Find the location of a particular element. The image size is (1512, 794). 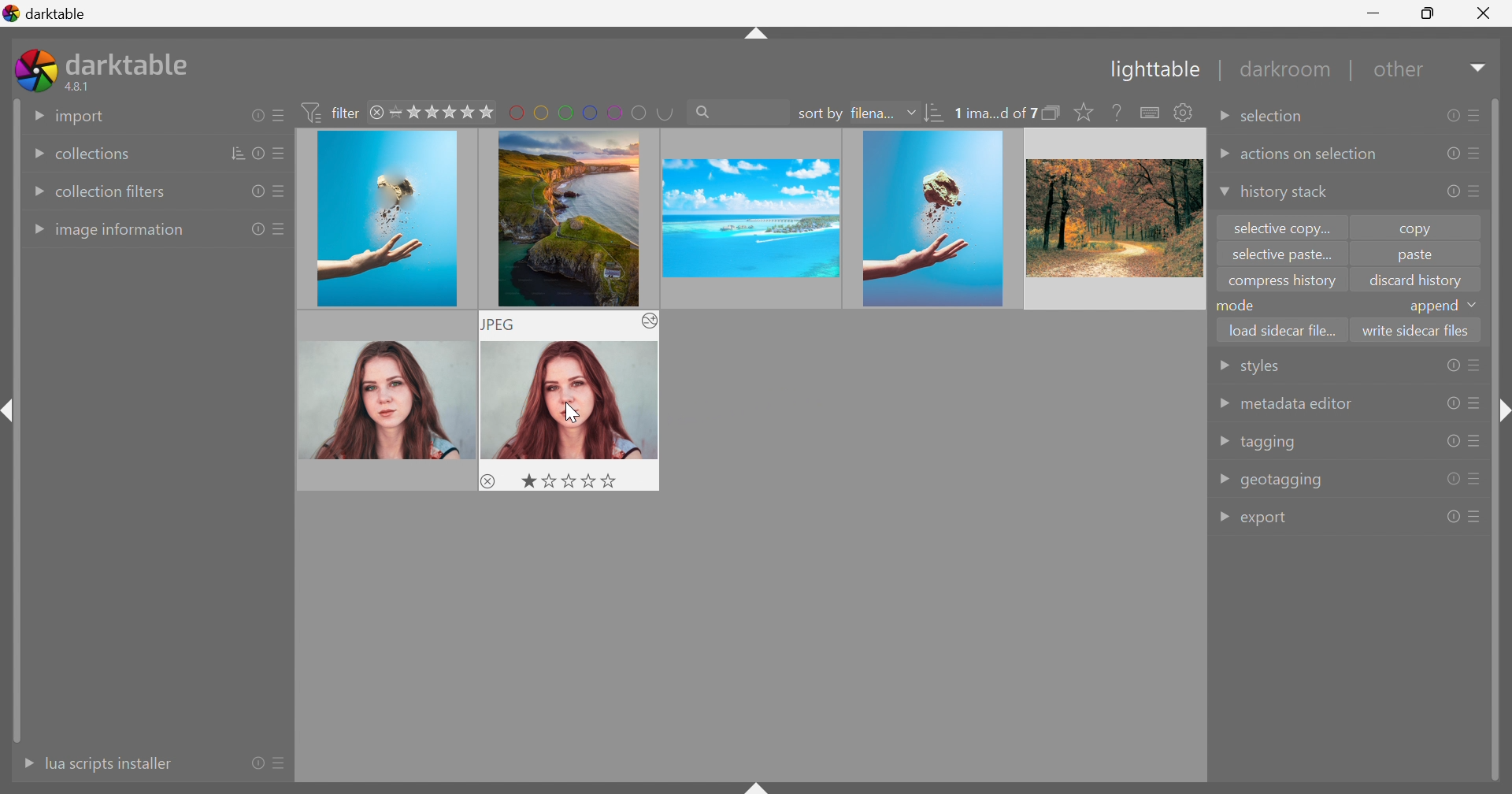

Drop Down is located at coordinates (910, 112).